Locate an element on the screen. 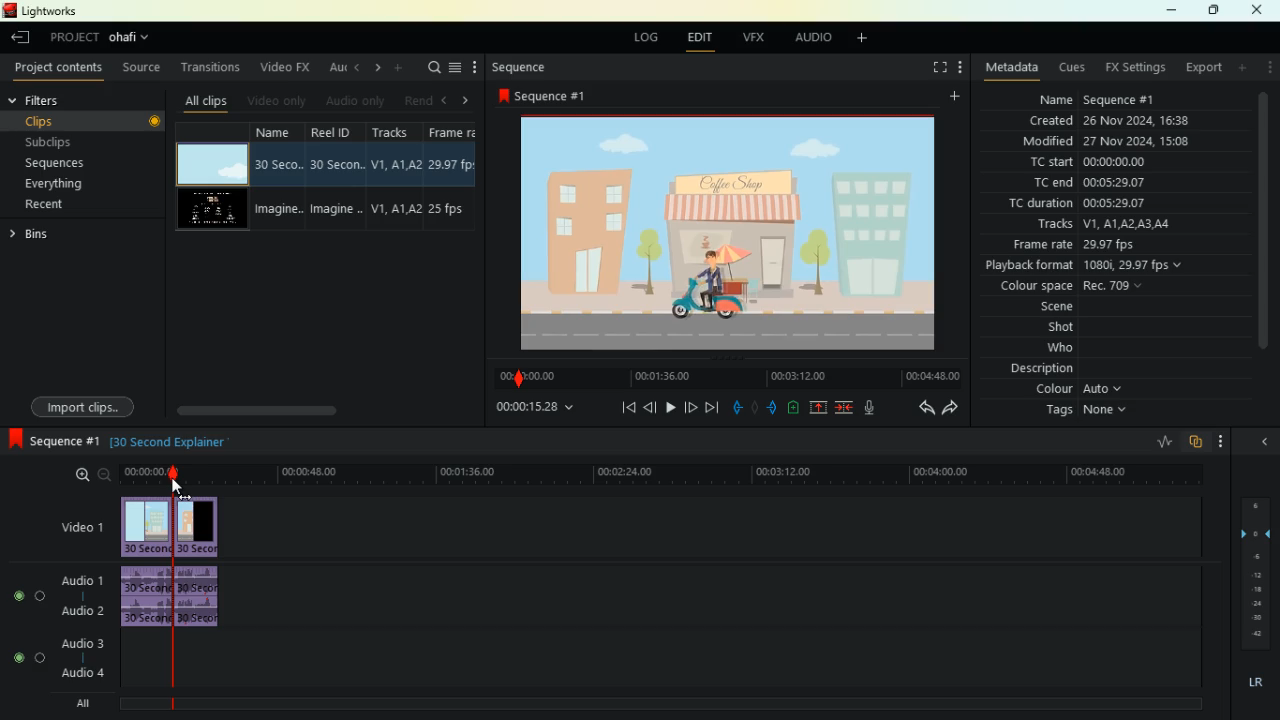  Cursor is located at coordinates (176, 489).